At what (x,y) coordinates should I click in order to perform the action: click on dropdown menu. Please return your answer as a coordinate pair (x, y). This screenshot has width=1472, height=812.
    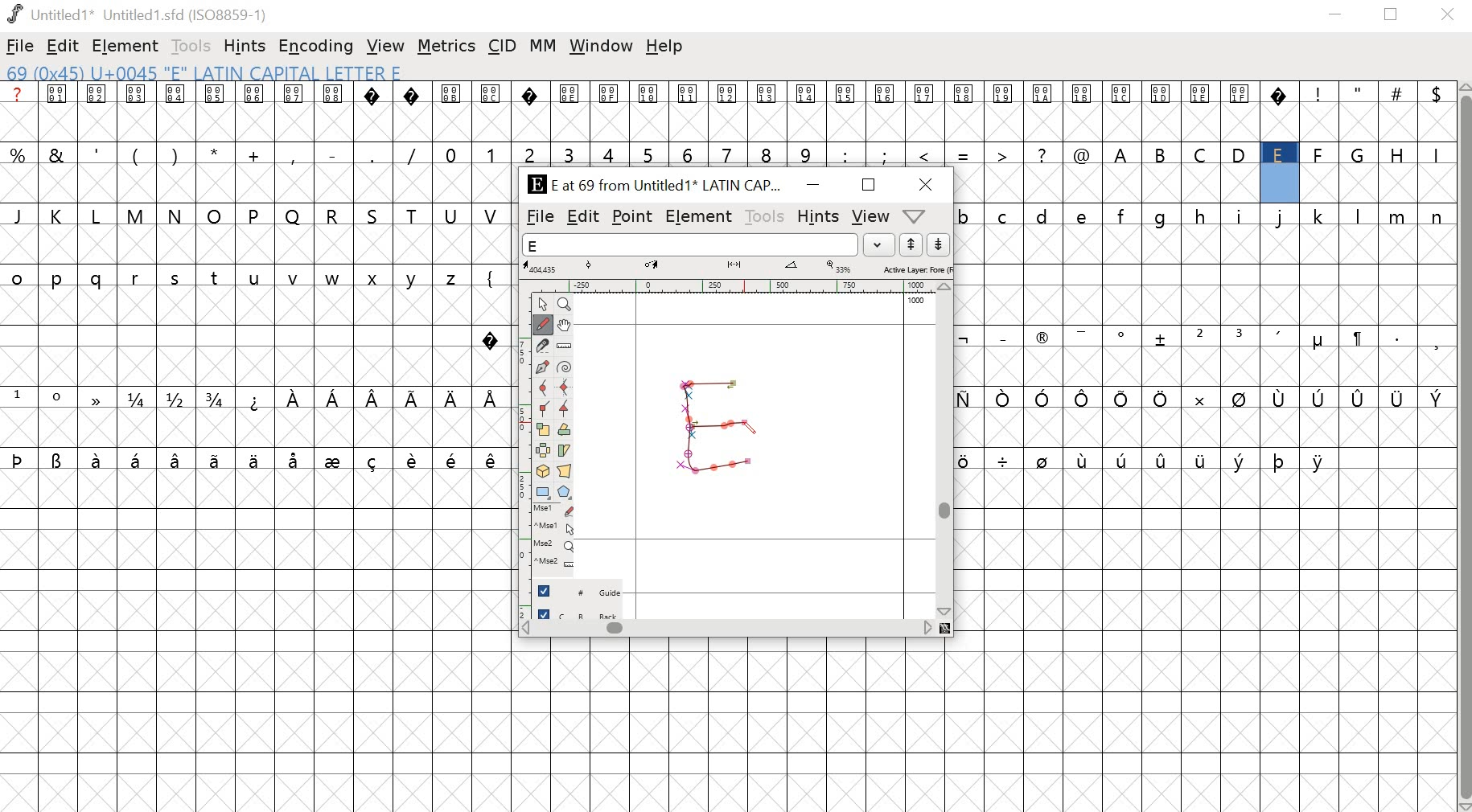
    Looking at the image, I should click on (921, 215).